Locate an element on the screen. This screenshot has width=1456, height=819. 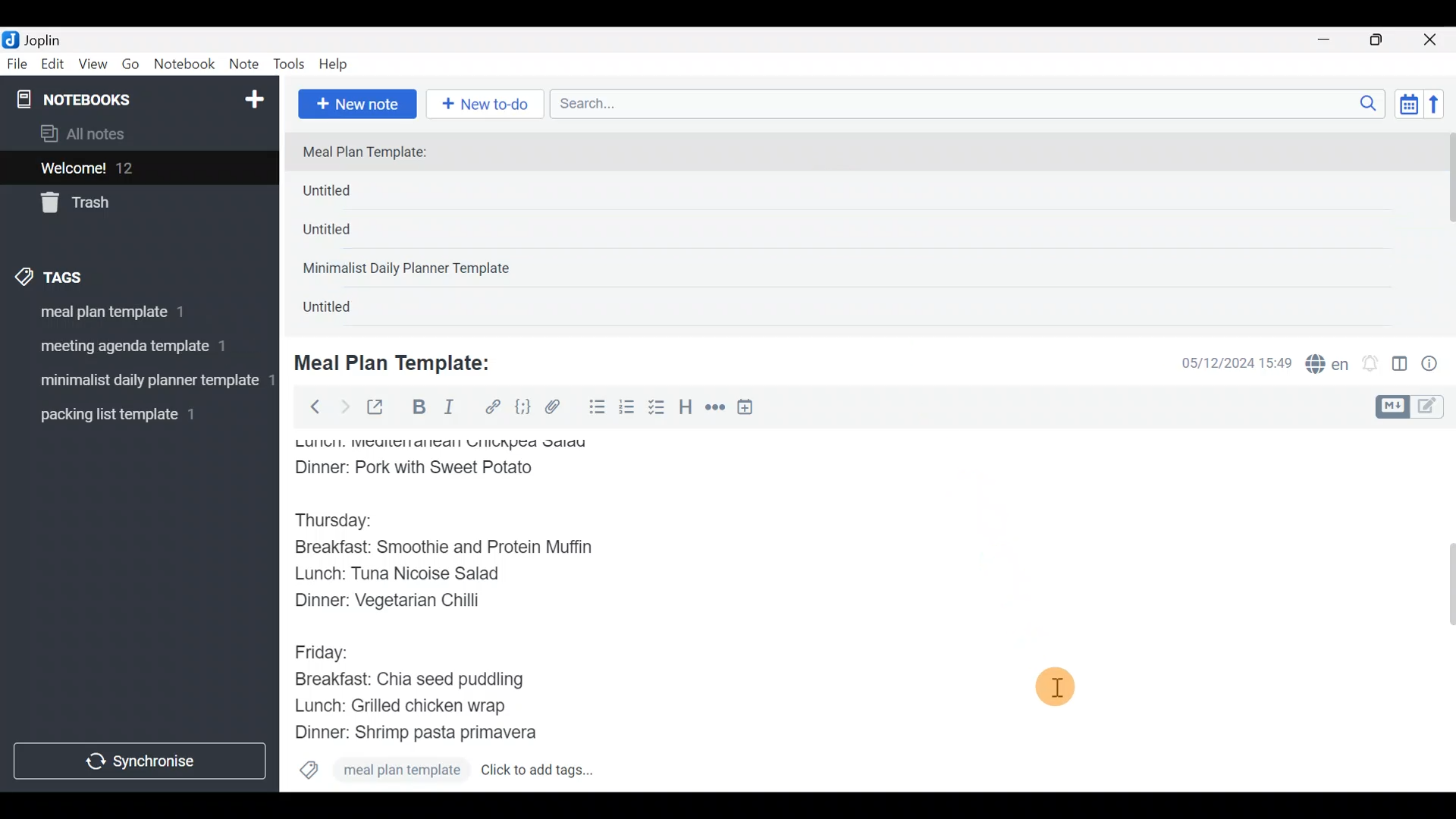
Set alarm is located at coordinates (1371, 365).